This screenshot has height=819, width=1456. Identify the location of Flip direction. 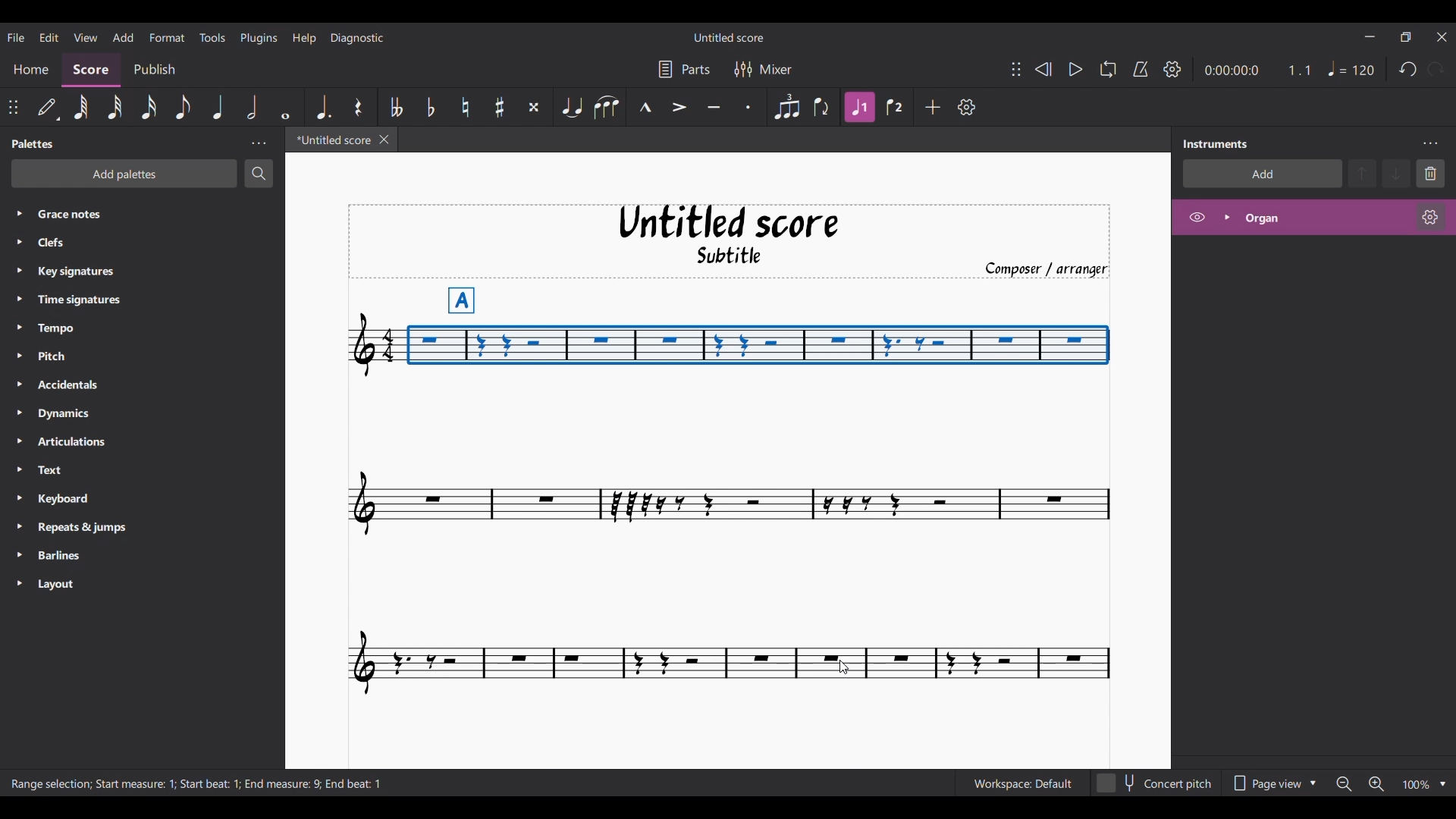
(821, 107).